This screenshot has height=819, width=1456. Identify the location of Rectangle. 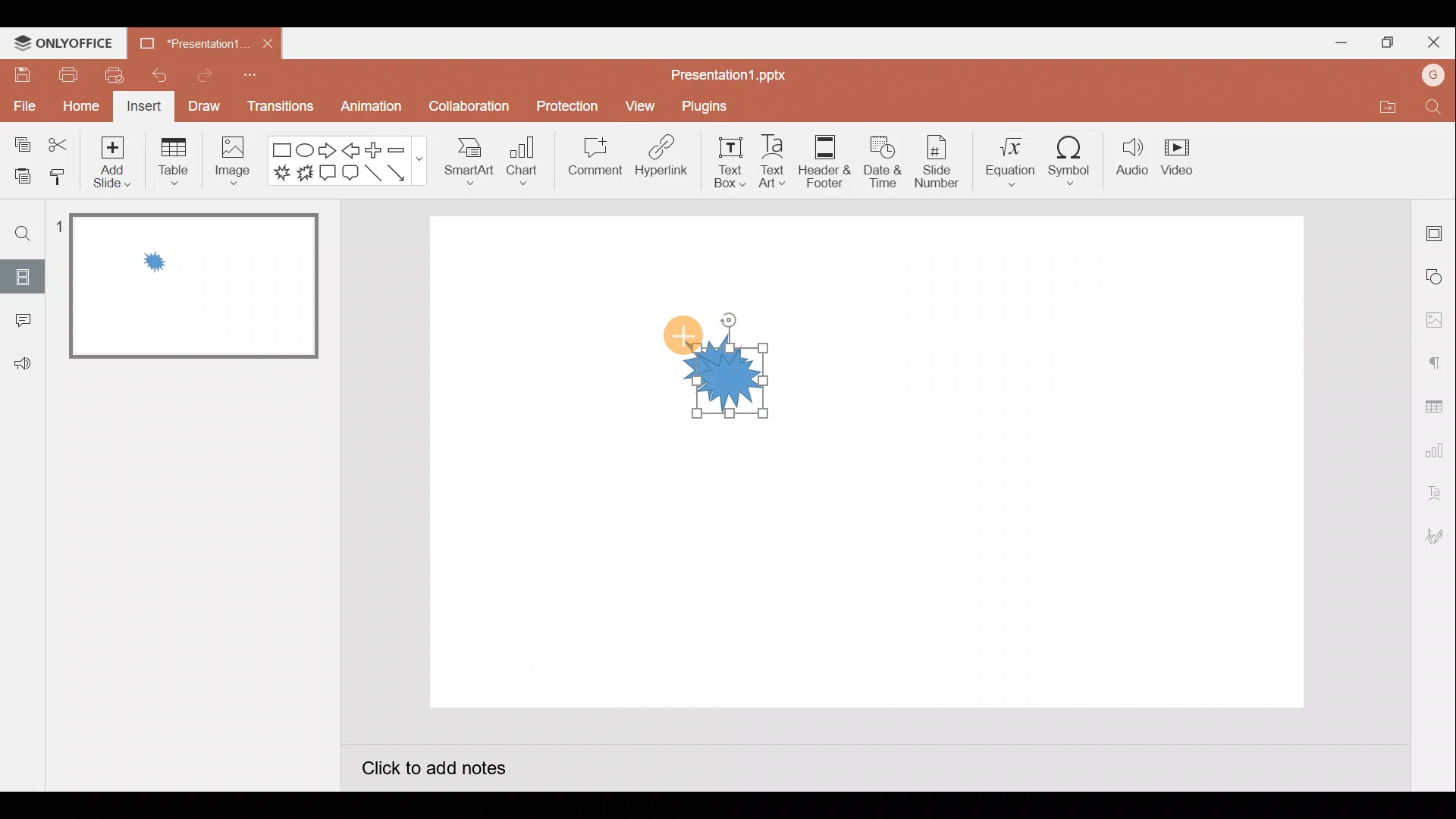
(281, 148).